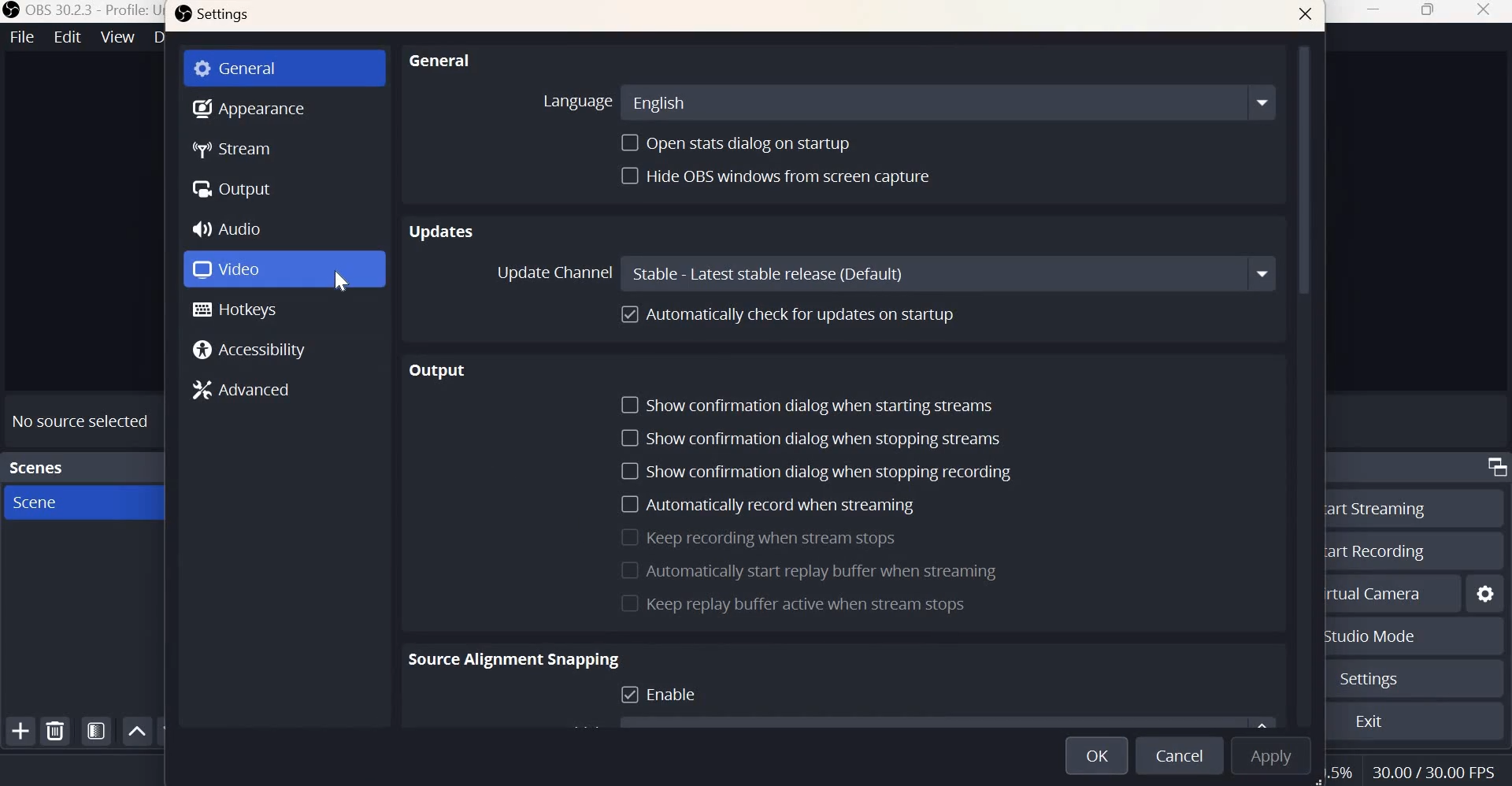  What do you see at coordinates (949, 102) in the screenshot?
I see `English` at bounding box center [949, 102].